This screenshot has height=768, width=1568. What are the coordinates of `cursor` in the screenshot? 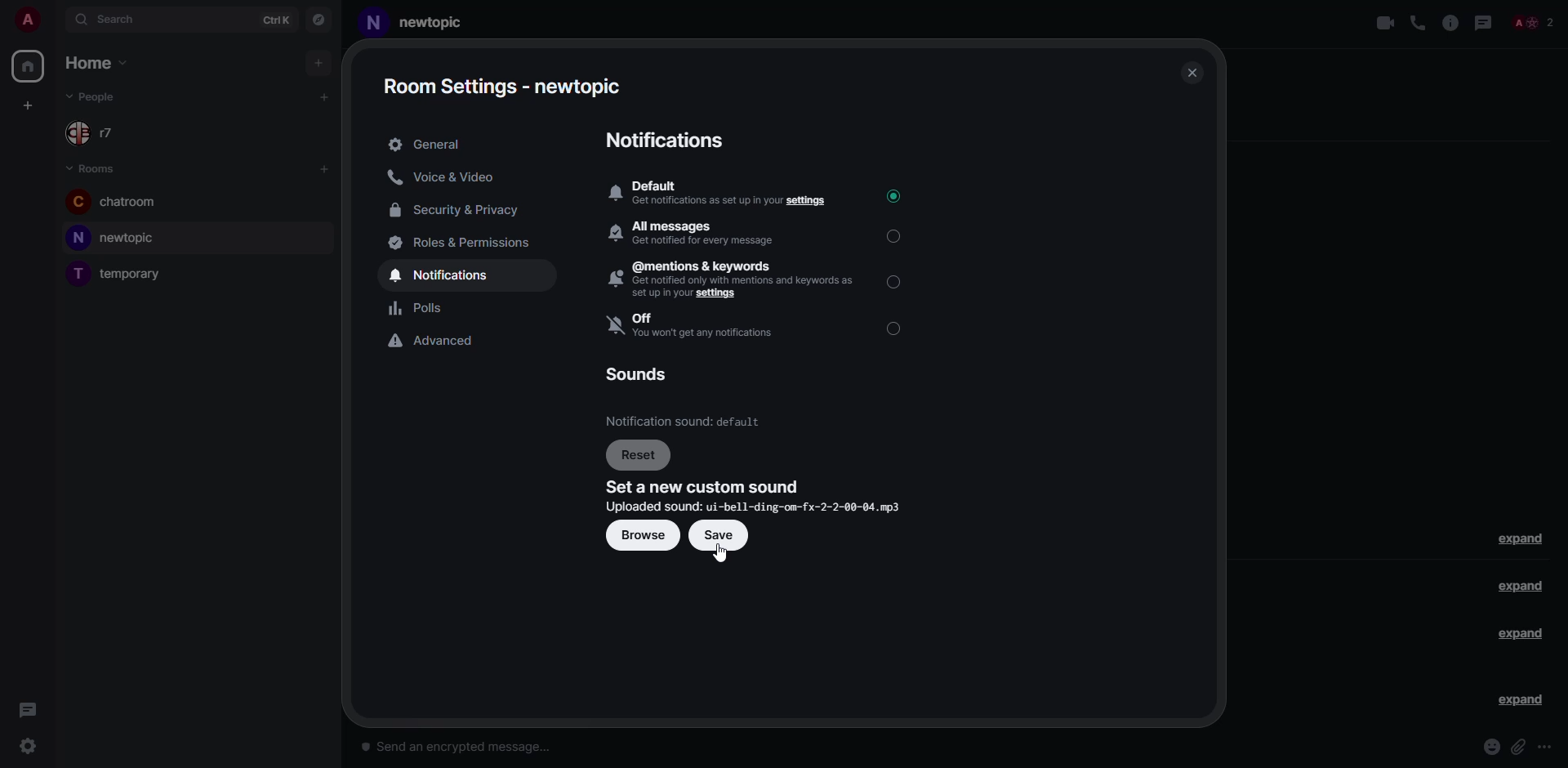 It's located at (723, 556).